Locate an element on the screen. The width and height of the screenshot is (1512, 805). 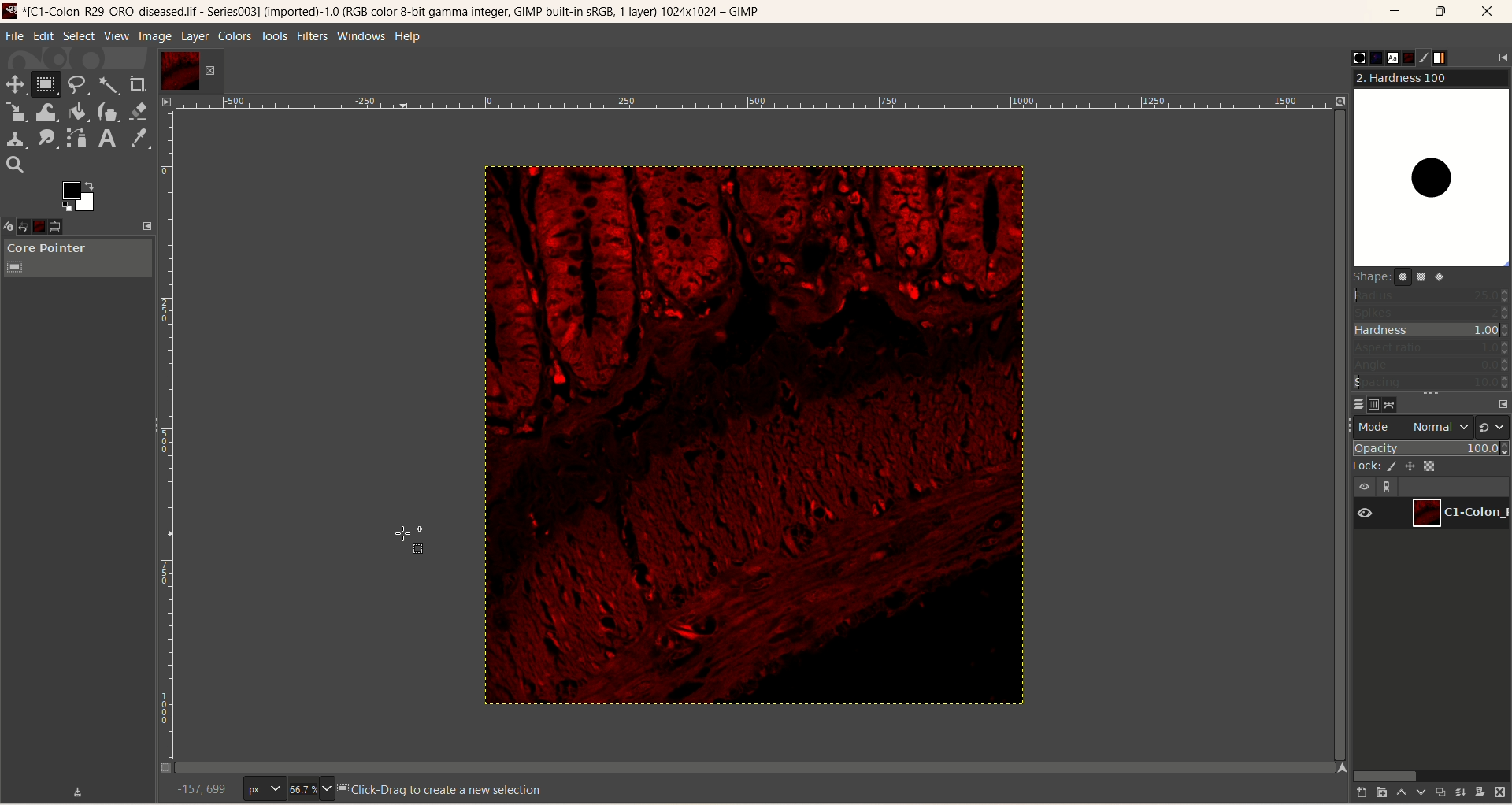
aspect ratio is located at coordinates (1432, 348).